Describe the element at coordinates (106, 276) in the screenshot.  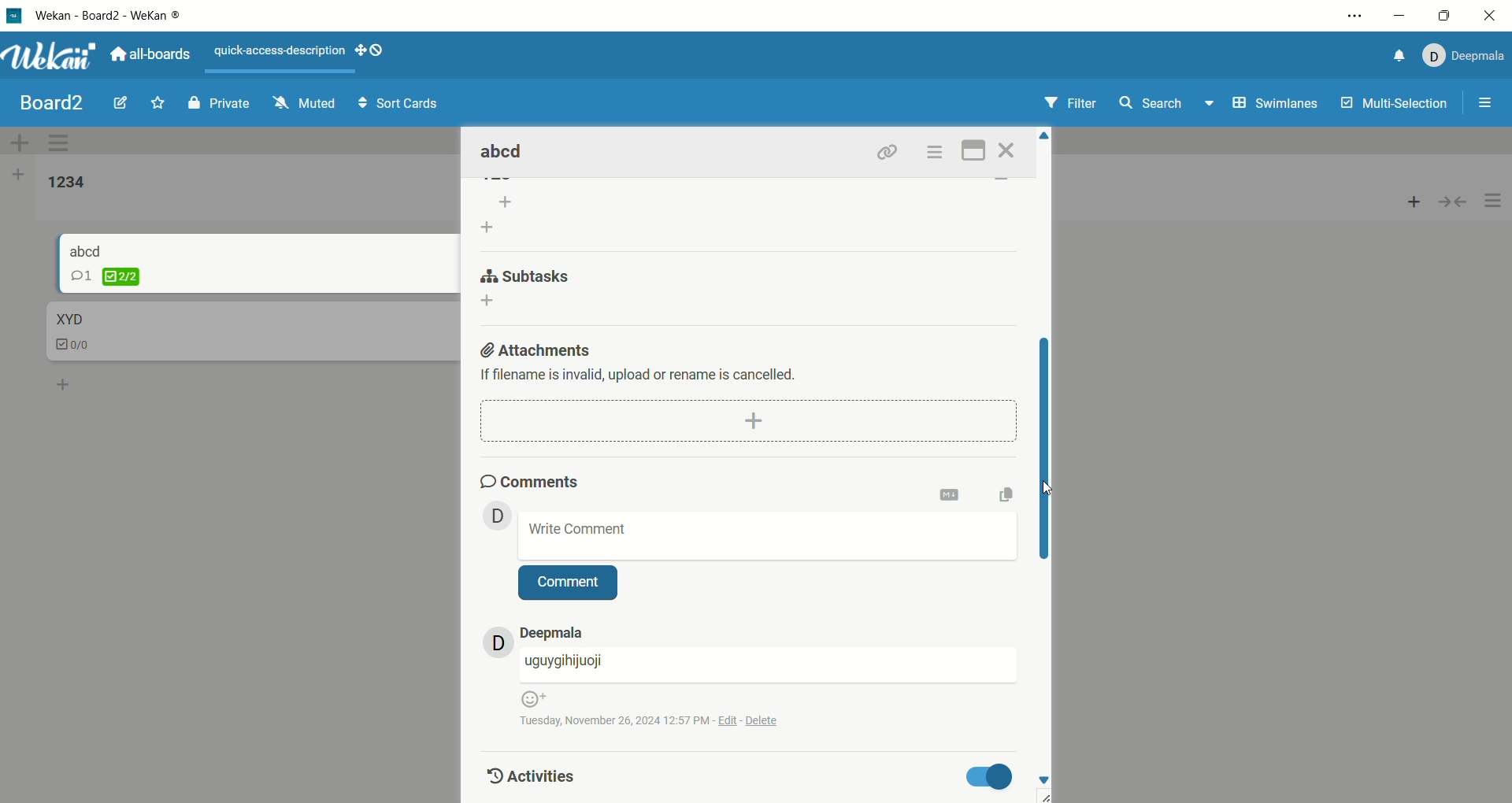
I see `checklist` at that location.